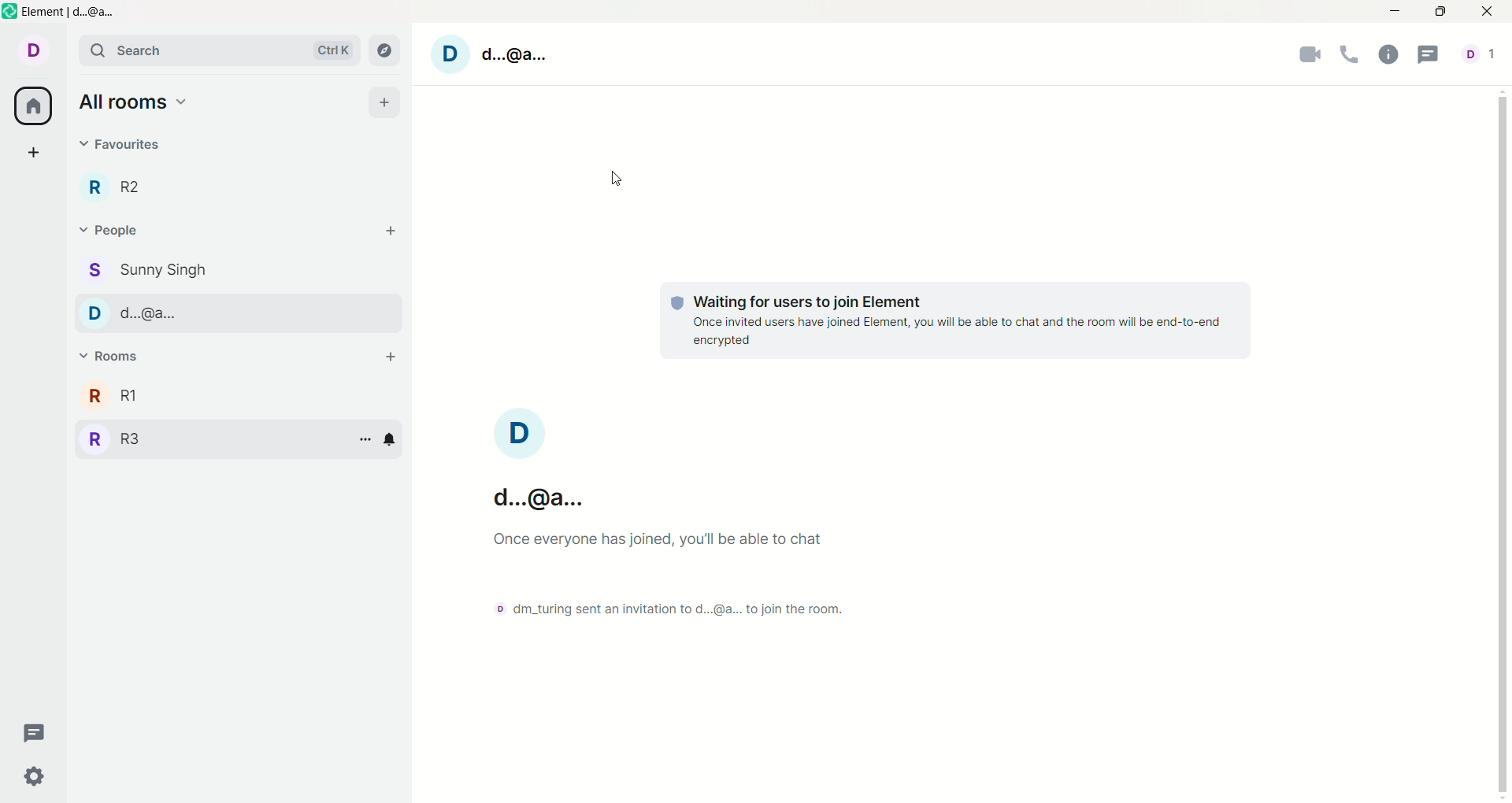  I want to click on account, so click(1484, 56).